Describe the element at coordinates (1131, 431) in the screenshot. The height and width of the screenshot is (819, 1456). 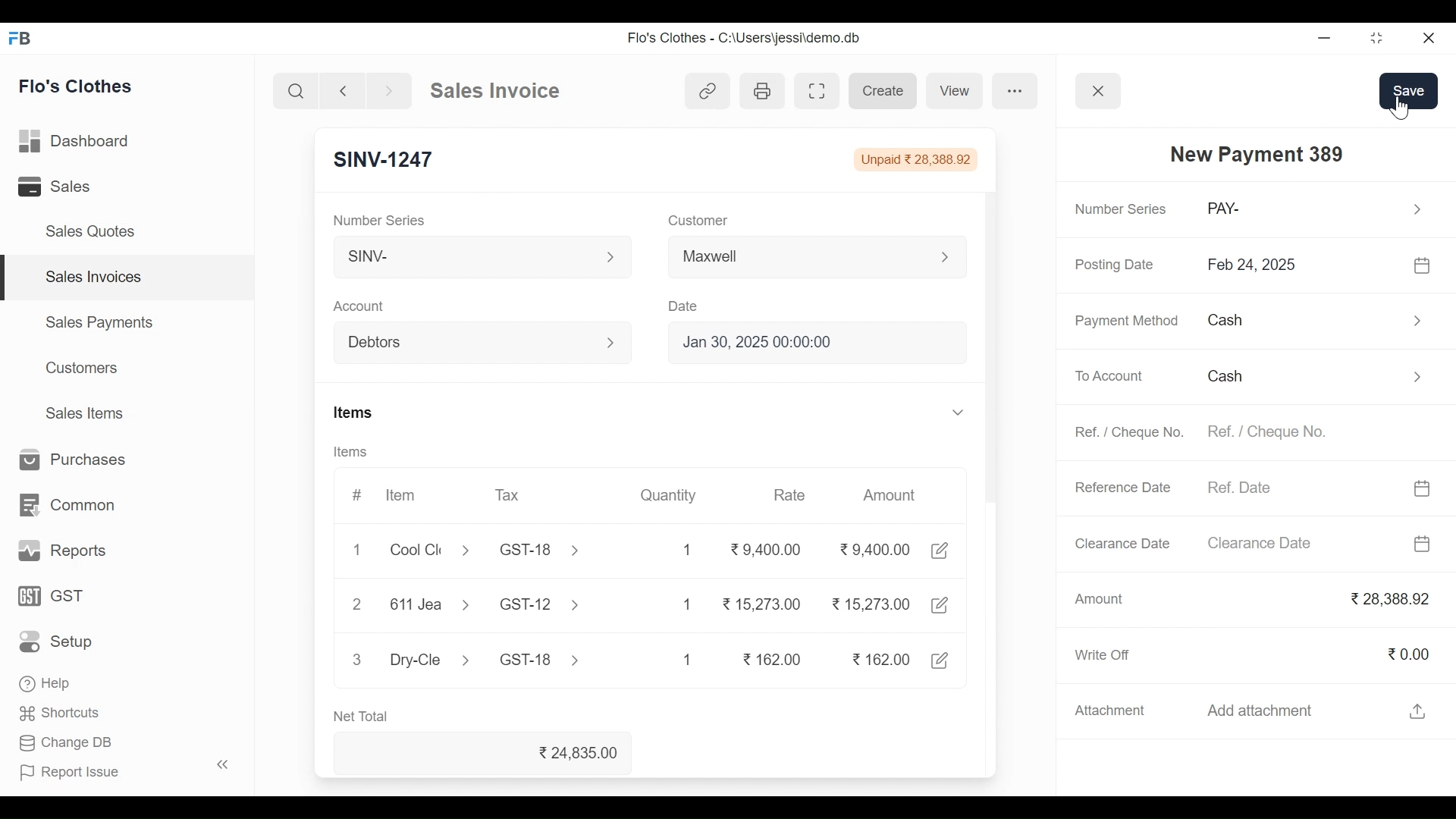
I see `Ref. / Cheque No.` at that location.